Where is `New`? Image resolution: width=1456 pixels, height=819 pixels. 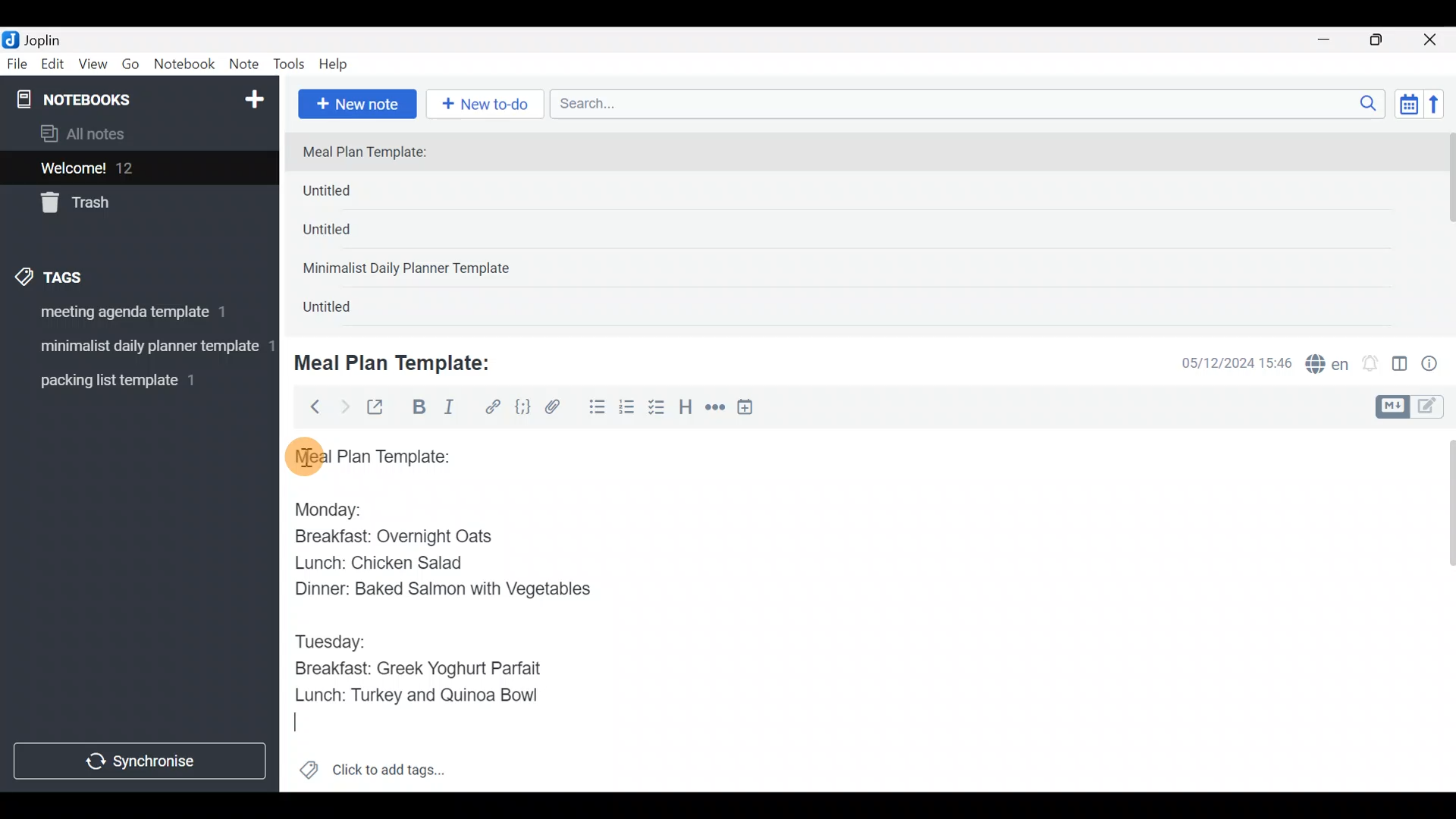
New is located at coordinates (253, 96).